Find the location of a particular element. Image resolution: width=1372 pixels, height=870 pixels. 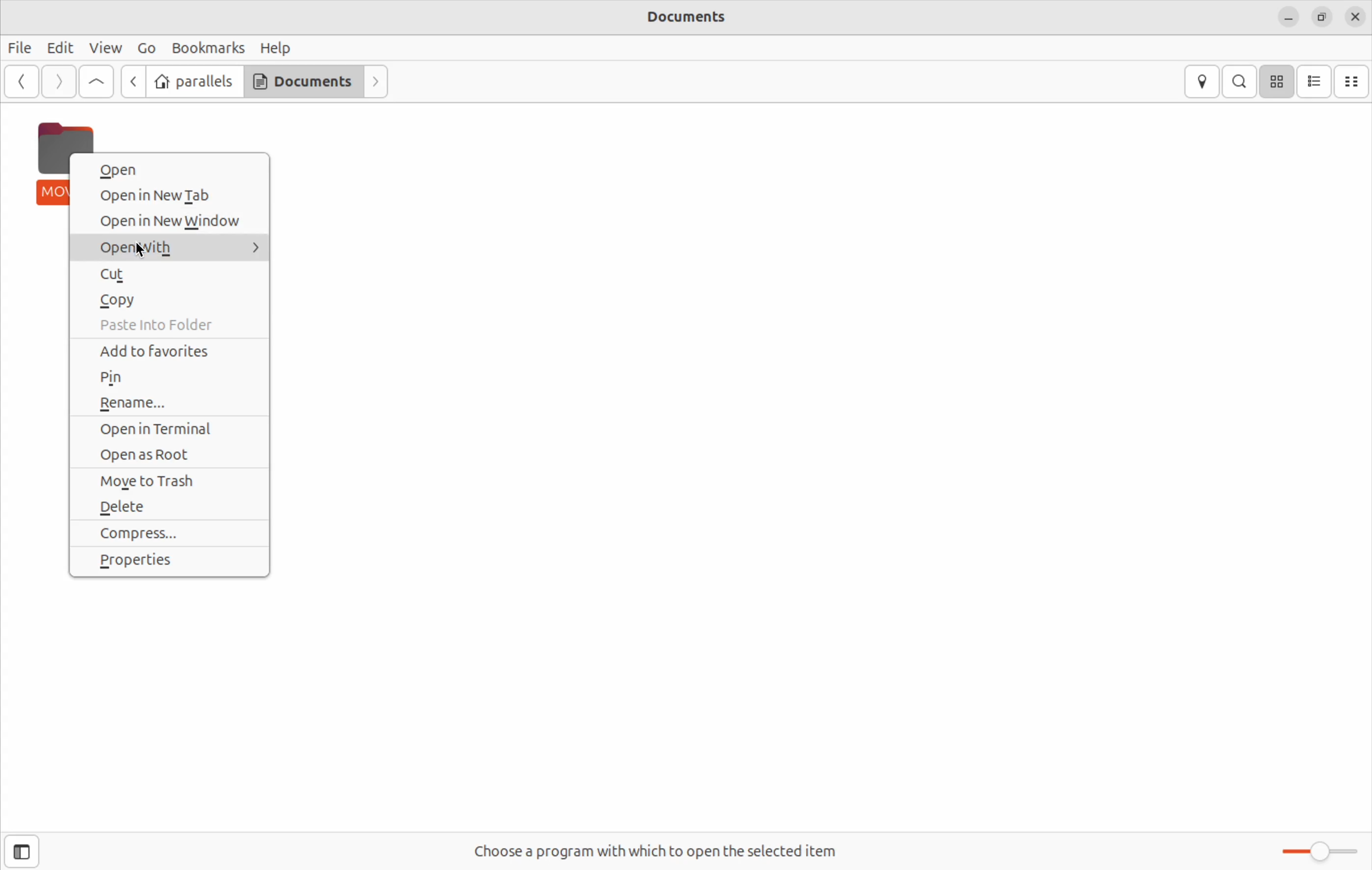

open in new window is located at coordinates (168, 221).